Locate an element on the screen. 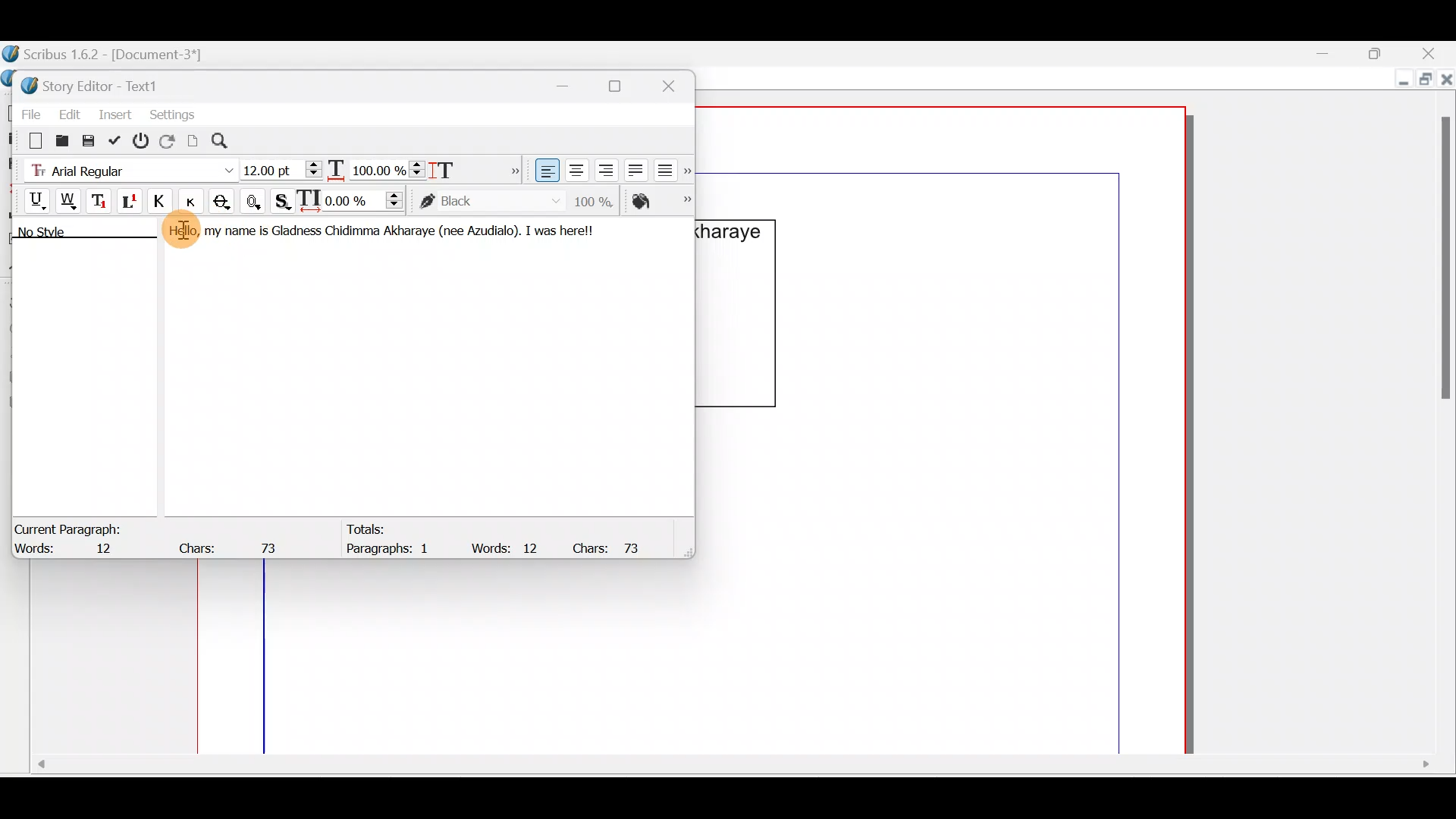 The image size is (1456, 819). color of text stroke is located at coordinates (490, 202).